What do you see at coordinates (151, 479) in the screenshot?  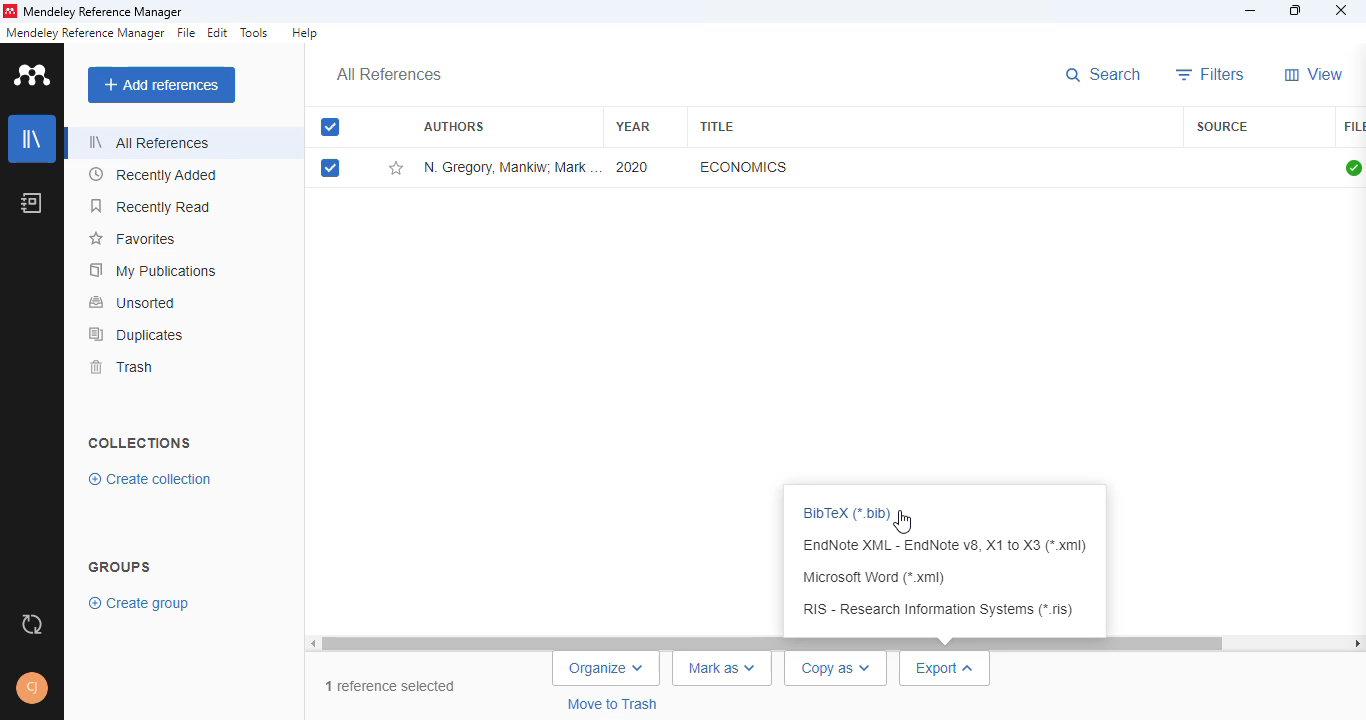 I see `create collection` at bounding box center [151, 479].